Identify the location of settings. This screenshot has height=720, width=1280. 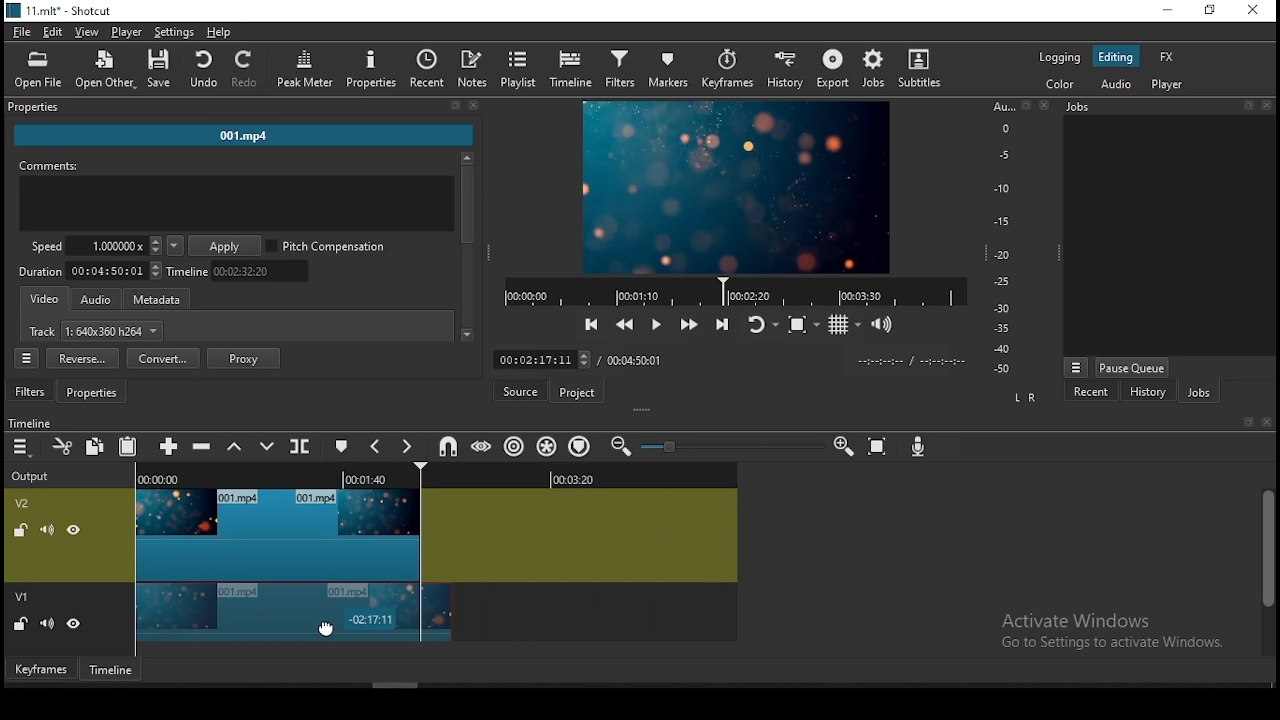
(174, 31).